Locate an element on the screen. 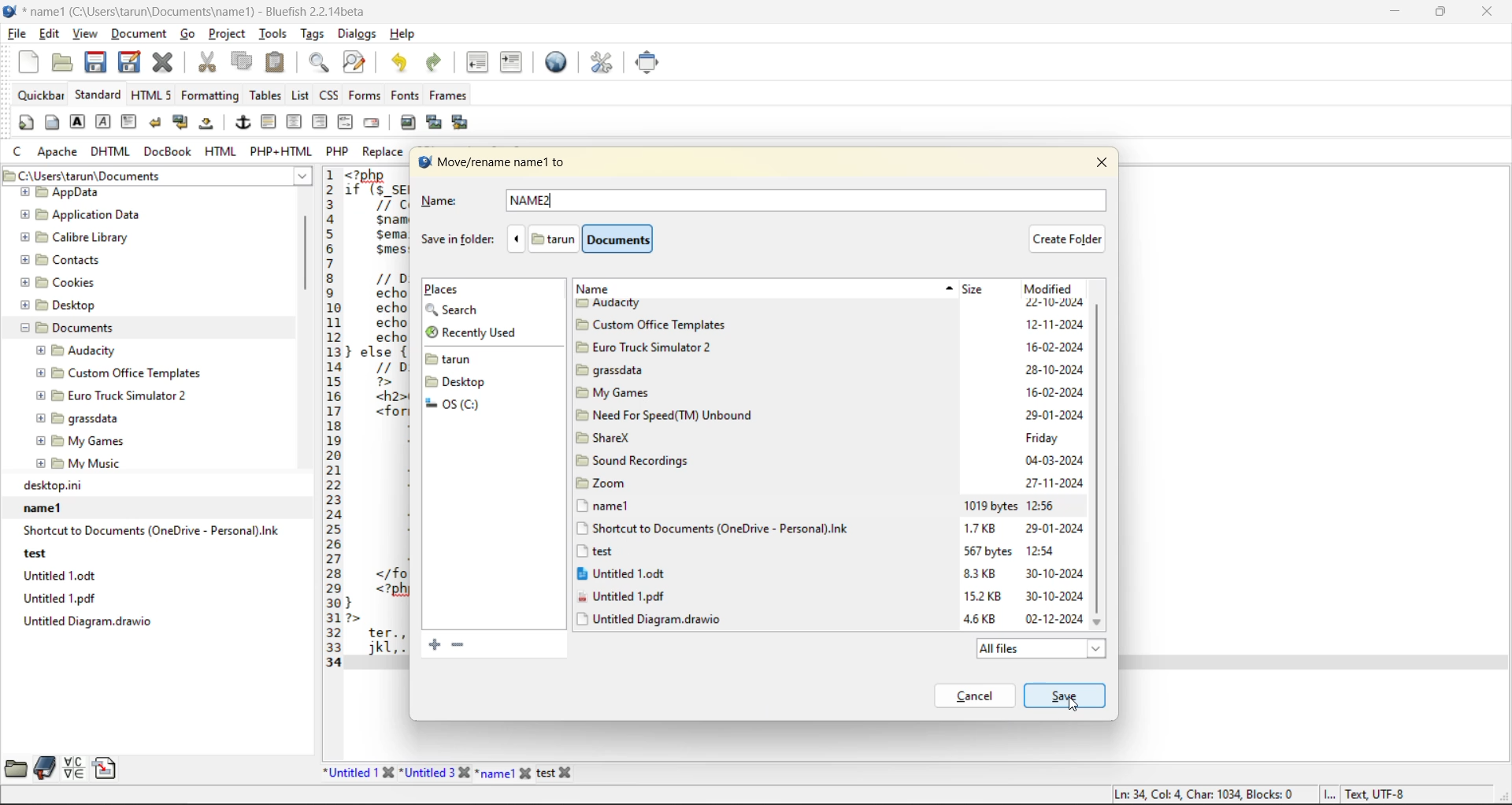  file browser is located at coordinates (17, 766).